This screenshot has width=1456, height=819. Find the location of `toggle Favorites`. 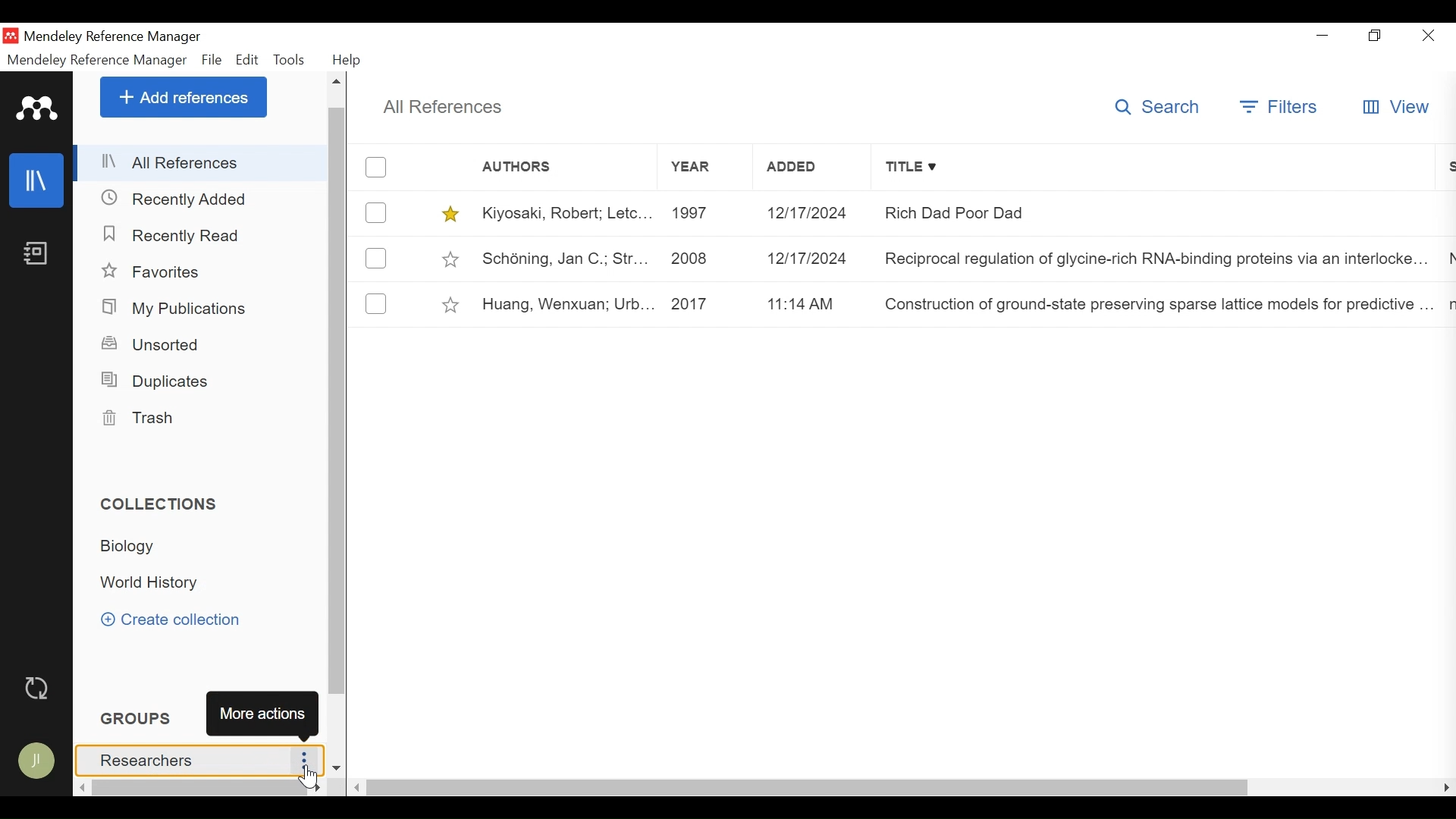

toggle Favorites is located at coordinates (453, 304).